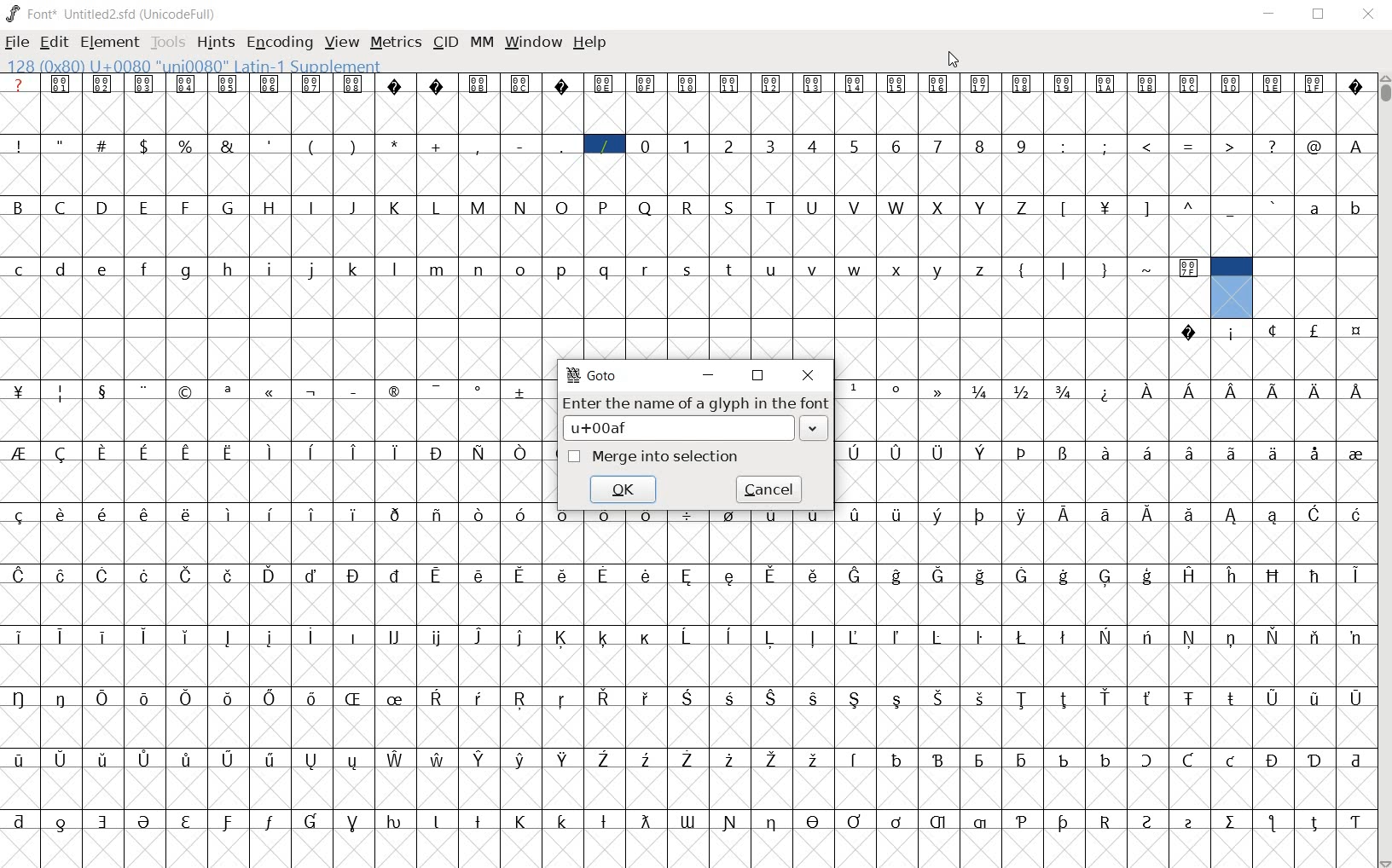  I want to click on Y, so click(981, 205).